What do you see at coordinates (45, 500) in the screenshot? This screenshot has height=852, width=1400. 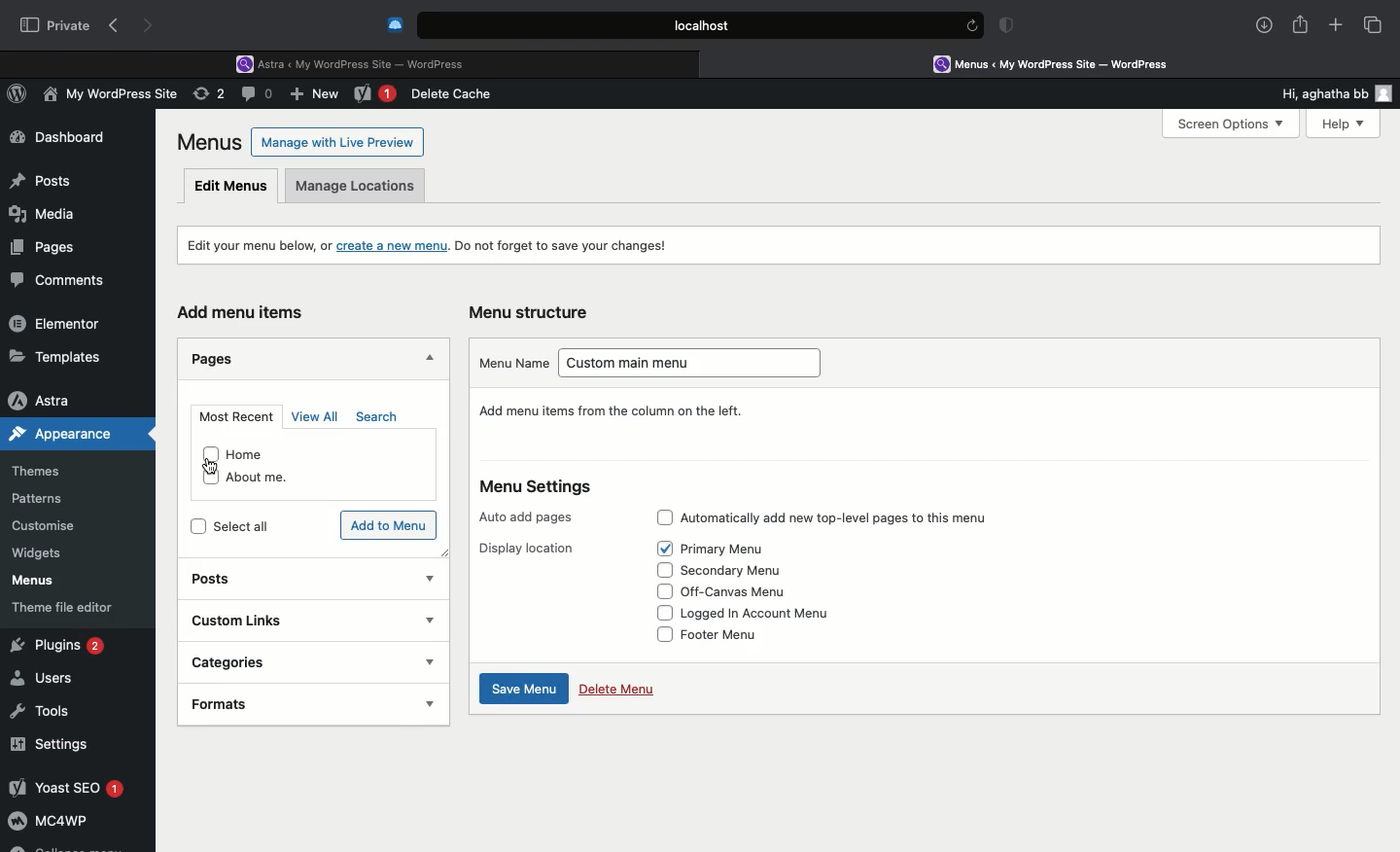 I see `Patterns` at bounding box center [45, 500].